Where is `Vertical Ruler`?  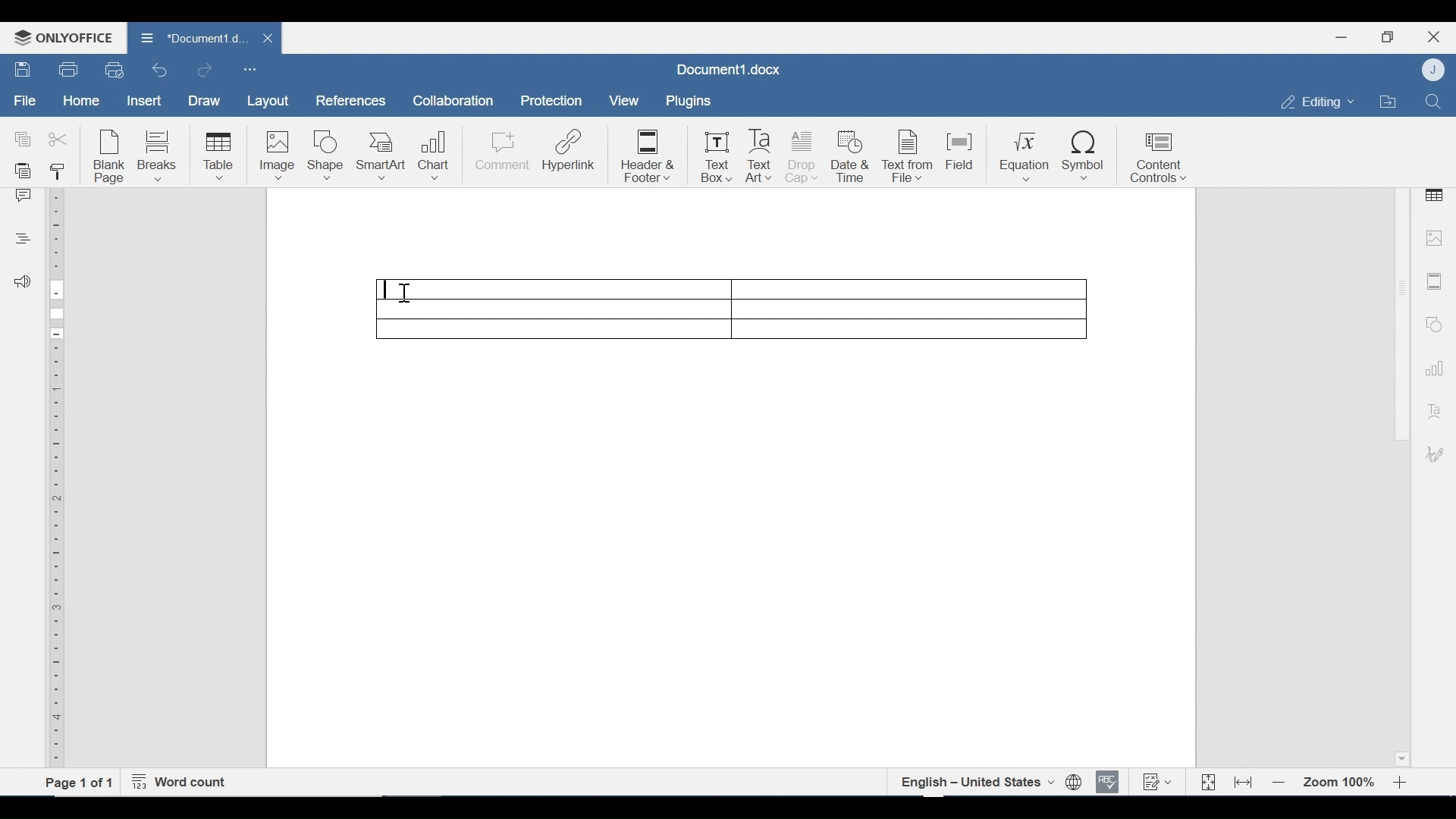 Vertical Ruler is located at coordinates (58, 479).